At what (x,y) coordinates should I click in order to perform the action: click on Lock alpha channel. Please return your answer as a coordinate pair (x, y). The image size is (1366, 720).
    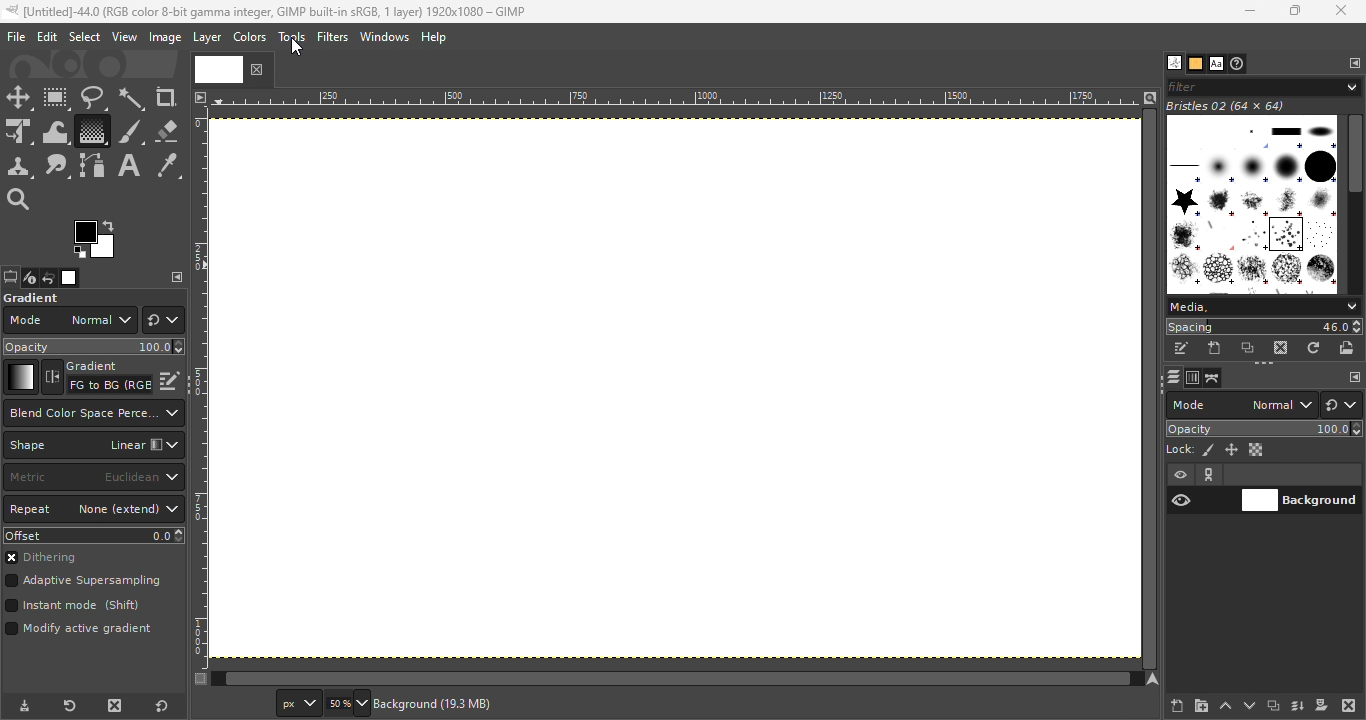
    Looking at the image, I should click on (1258, 450).